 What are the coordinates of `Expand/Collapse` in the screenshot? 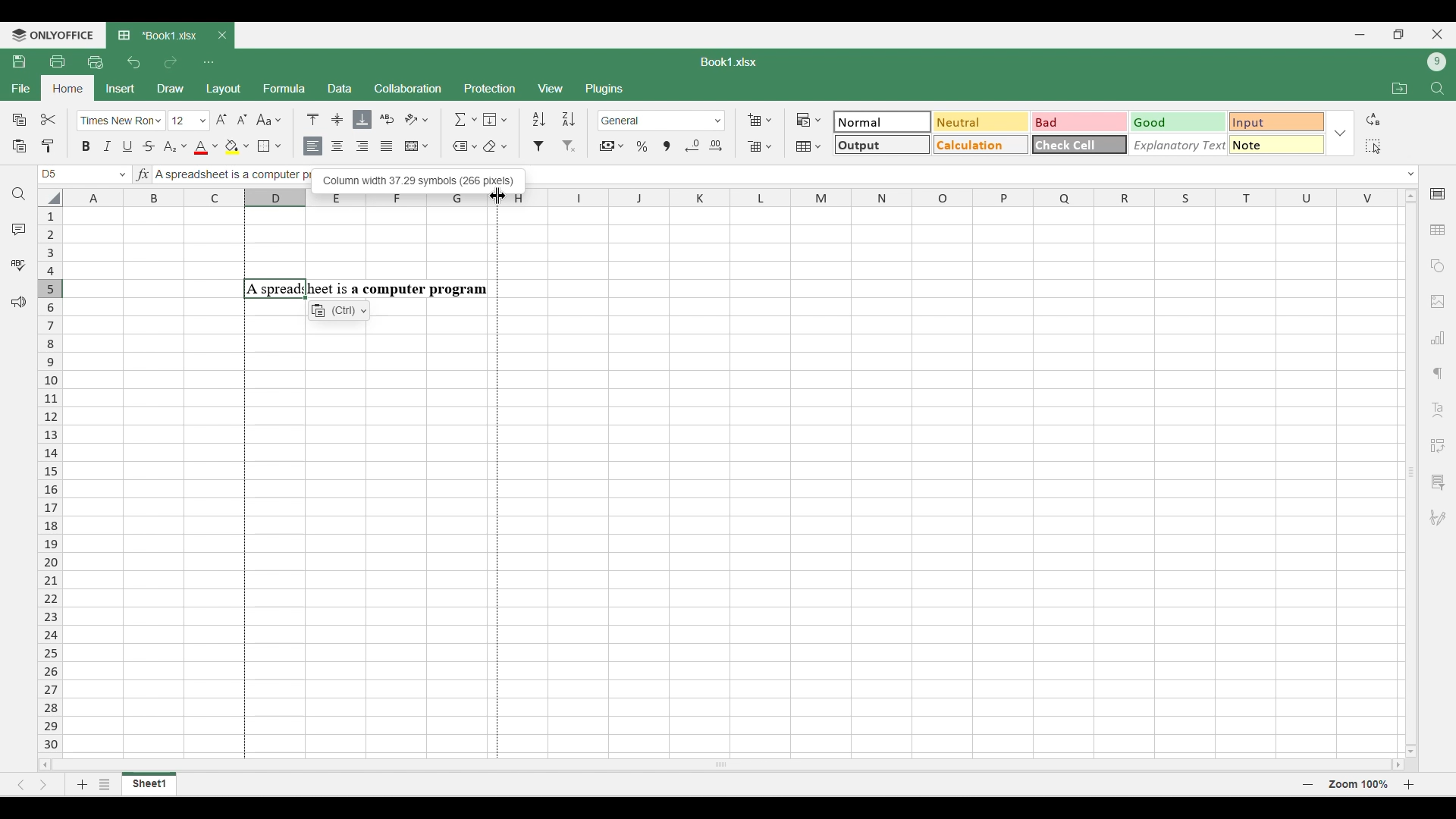 It's located at (1340, 133).